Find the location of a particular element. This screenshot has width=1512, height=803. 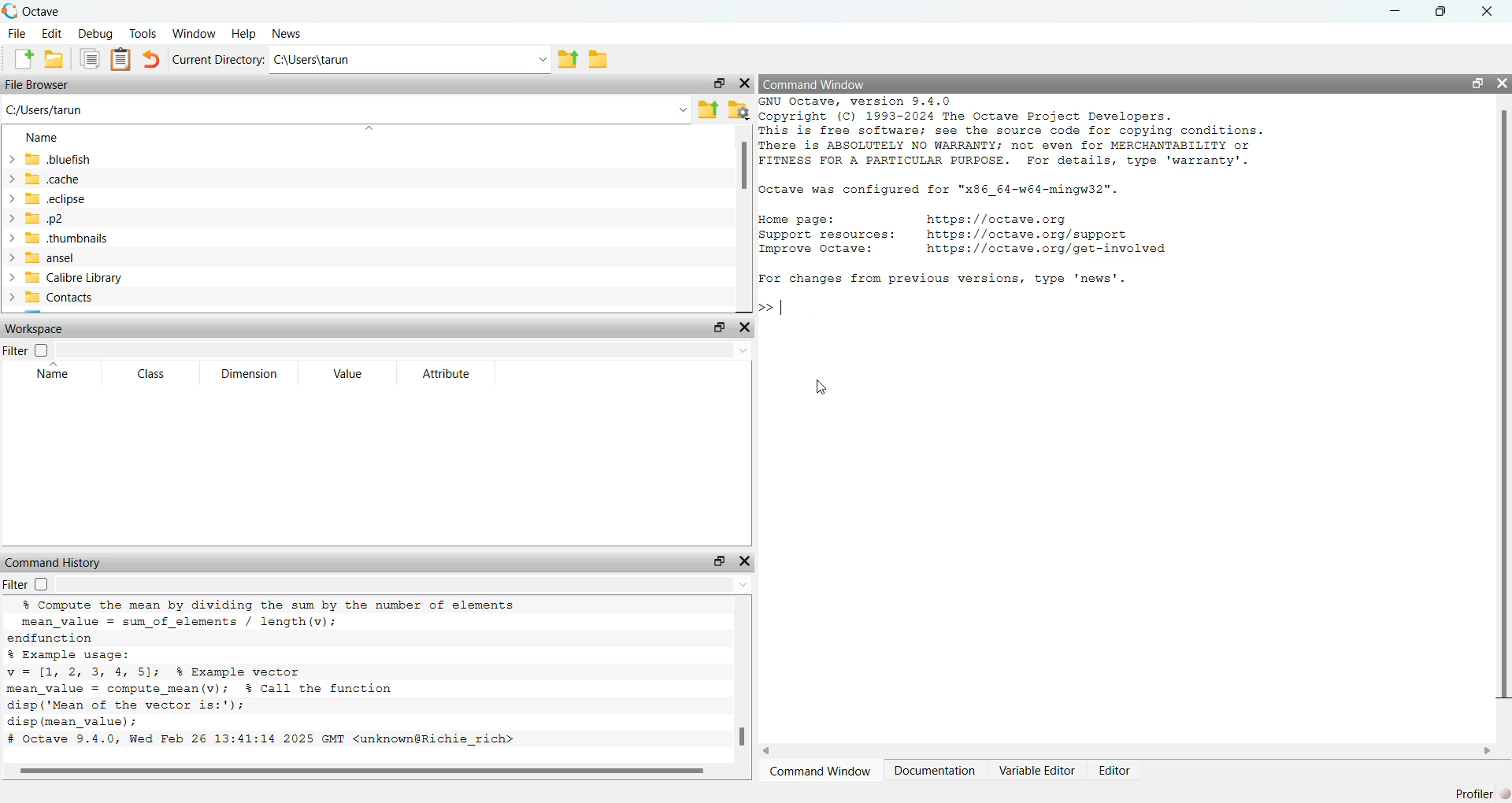

news is located at coordinates (290, 34).